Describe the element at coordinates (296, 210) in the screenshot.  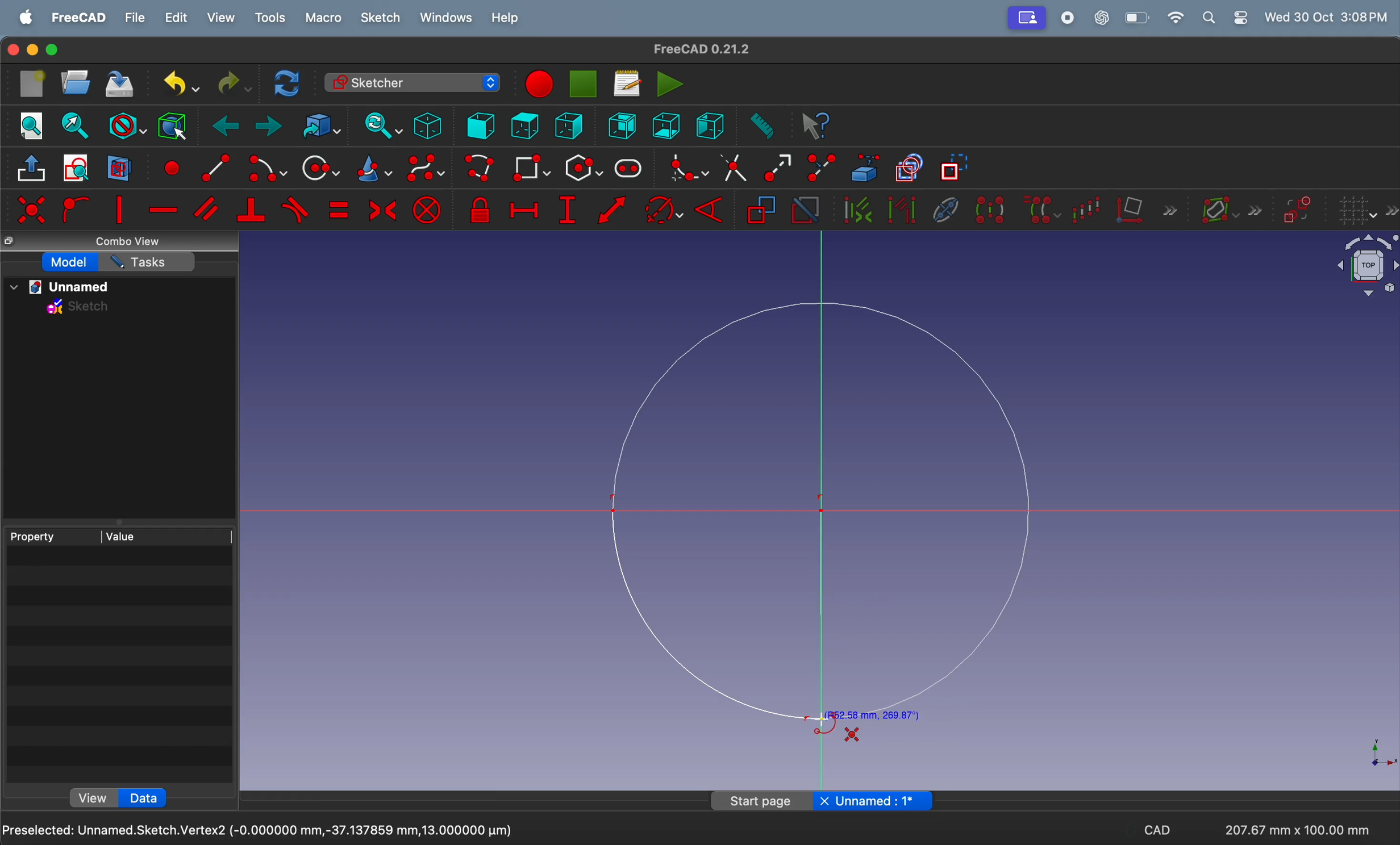
I see `constrain tangent` at that location.